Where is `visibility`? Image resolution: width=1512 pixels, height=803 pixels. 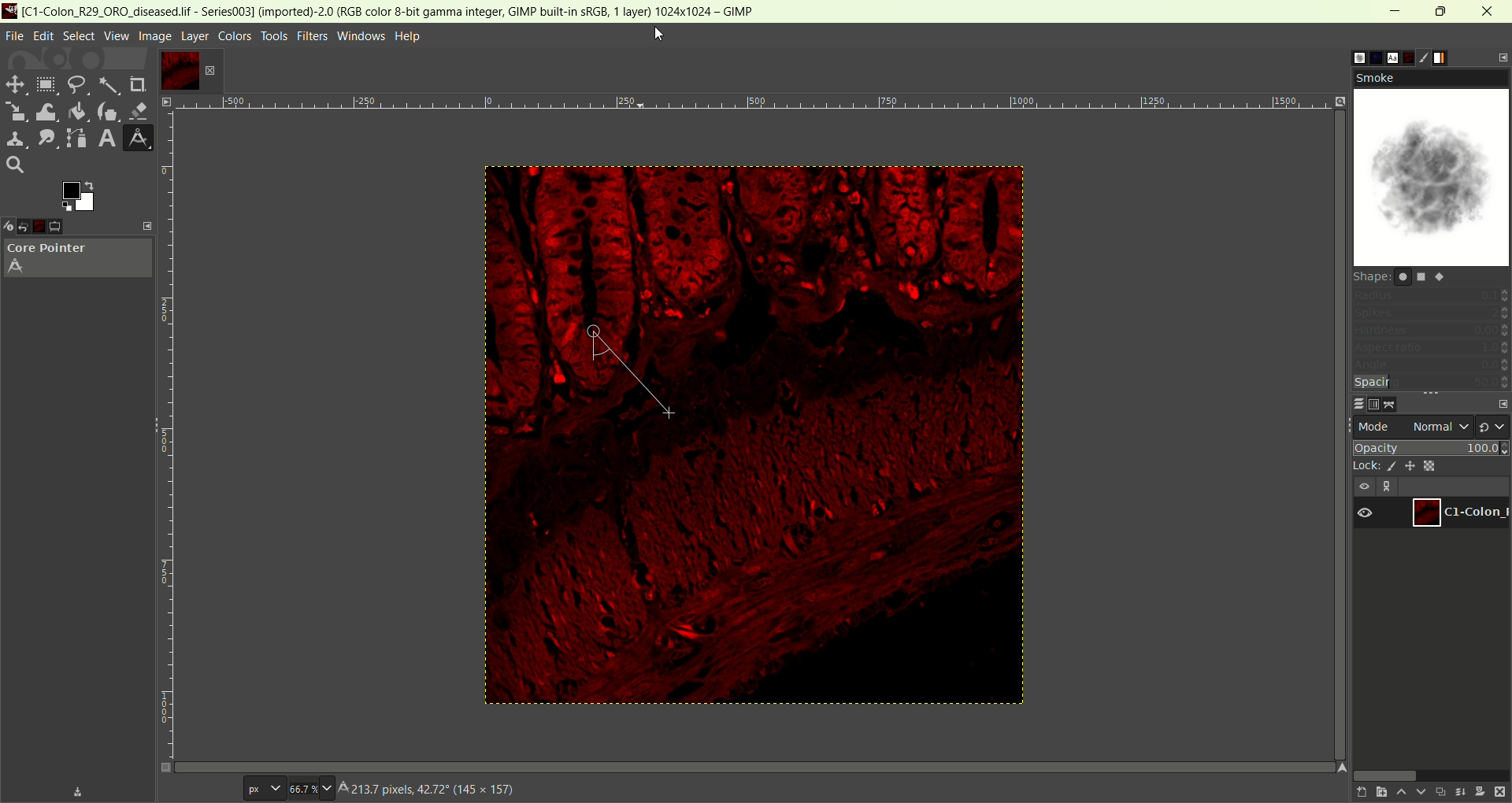
visibility is located at coordinates (1363, 487).